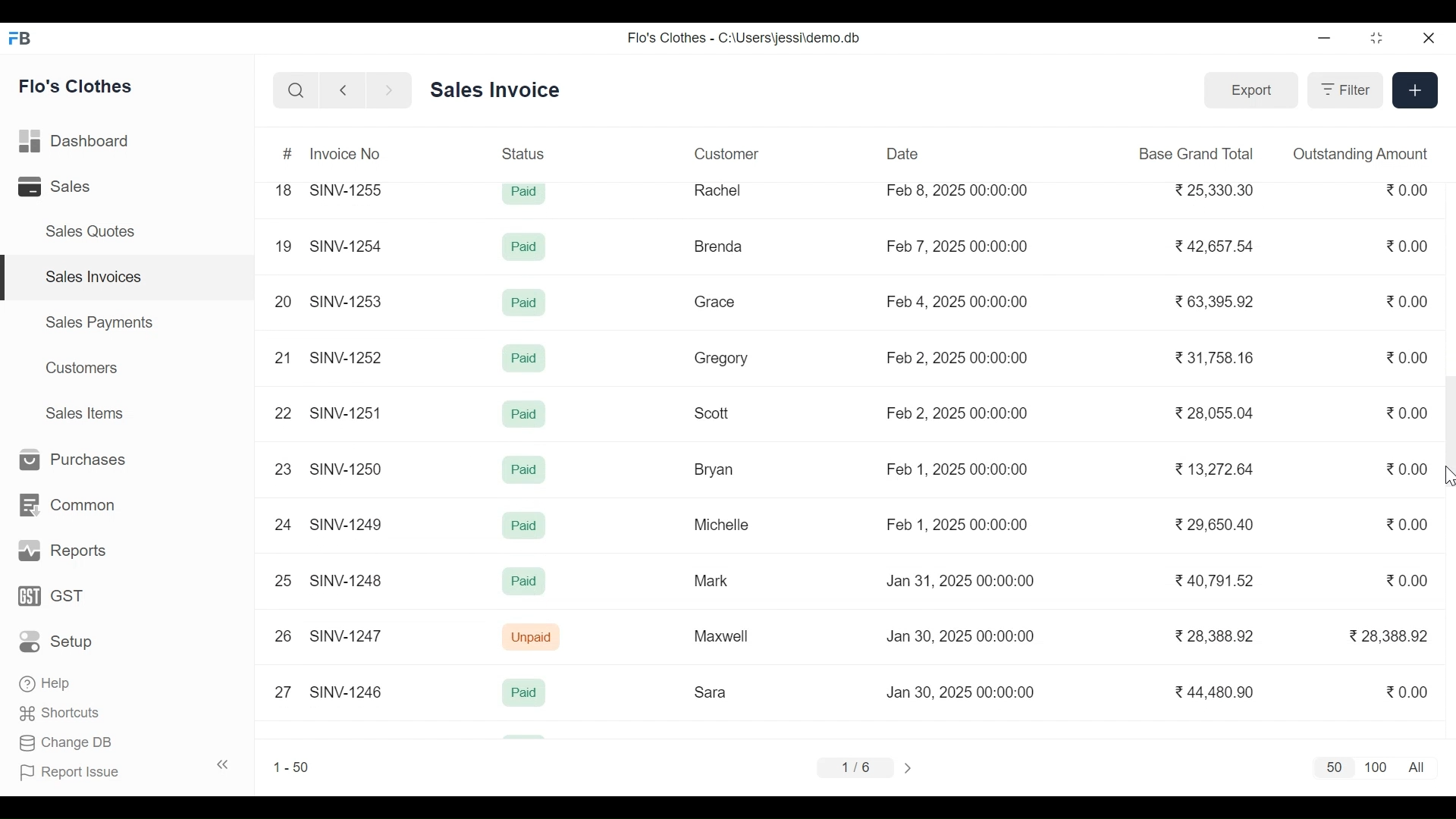  I want to click on 1100, so click(1376, 768).